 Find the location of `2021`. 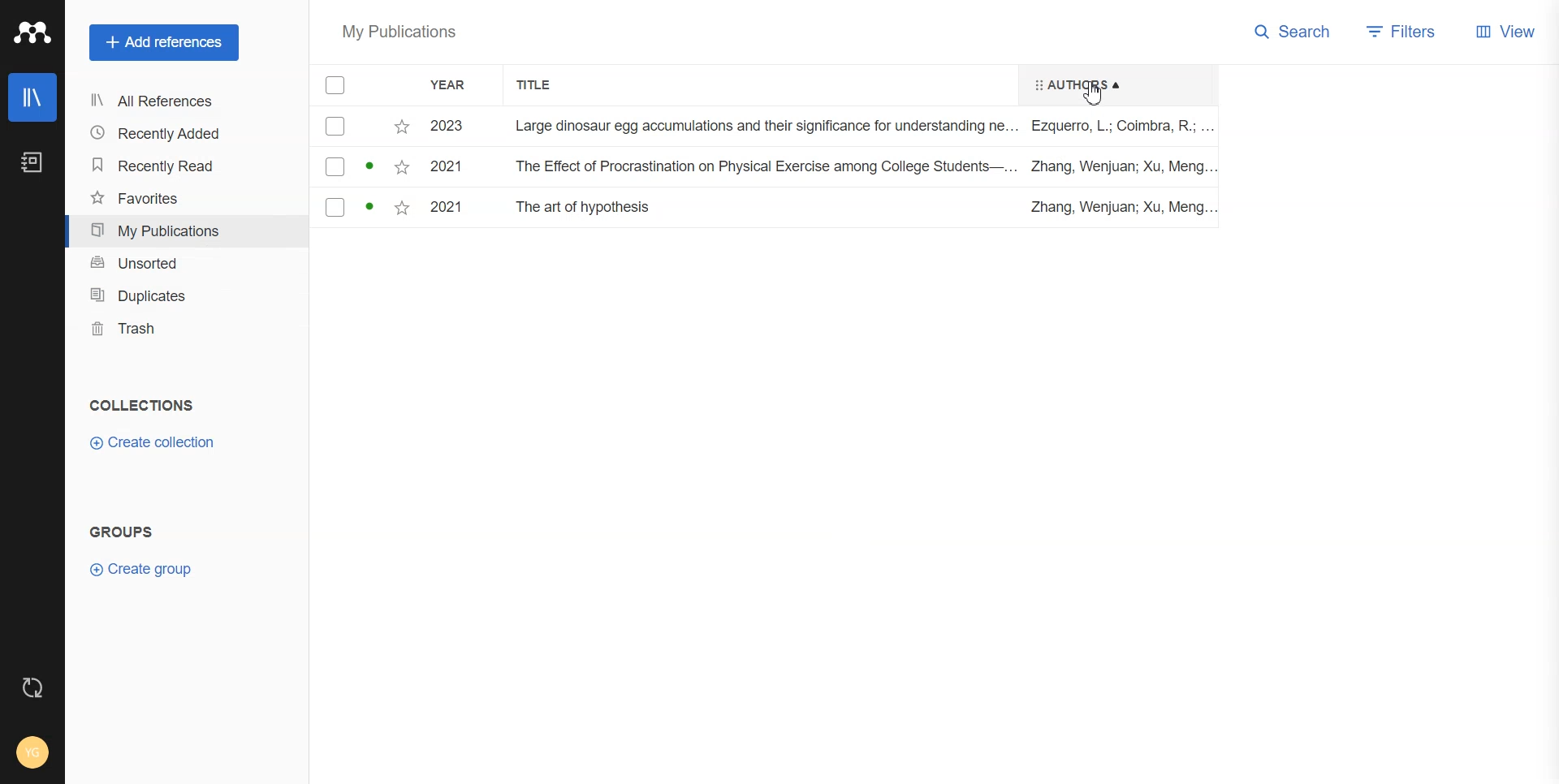

2021 is located at coordinates (445, 167).